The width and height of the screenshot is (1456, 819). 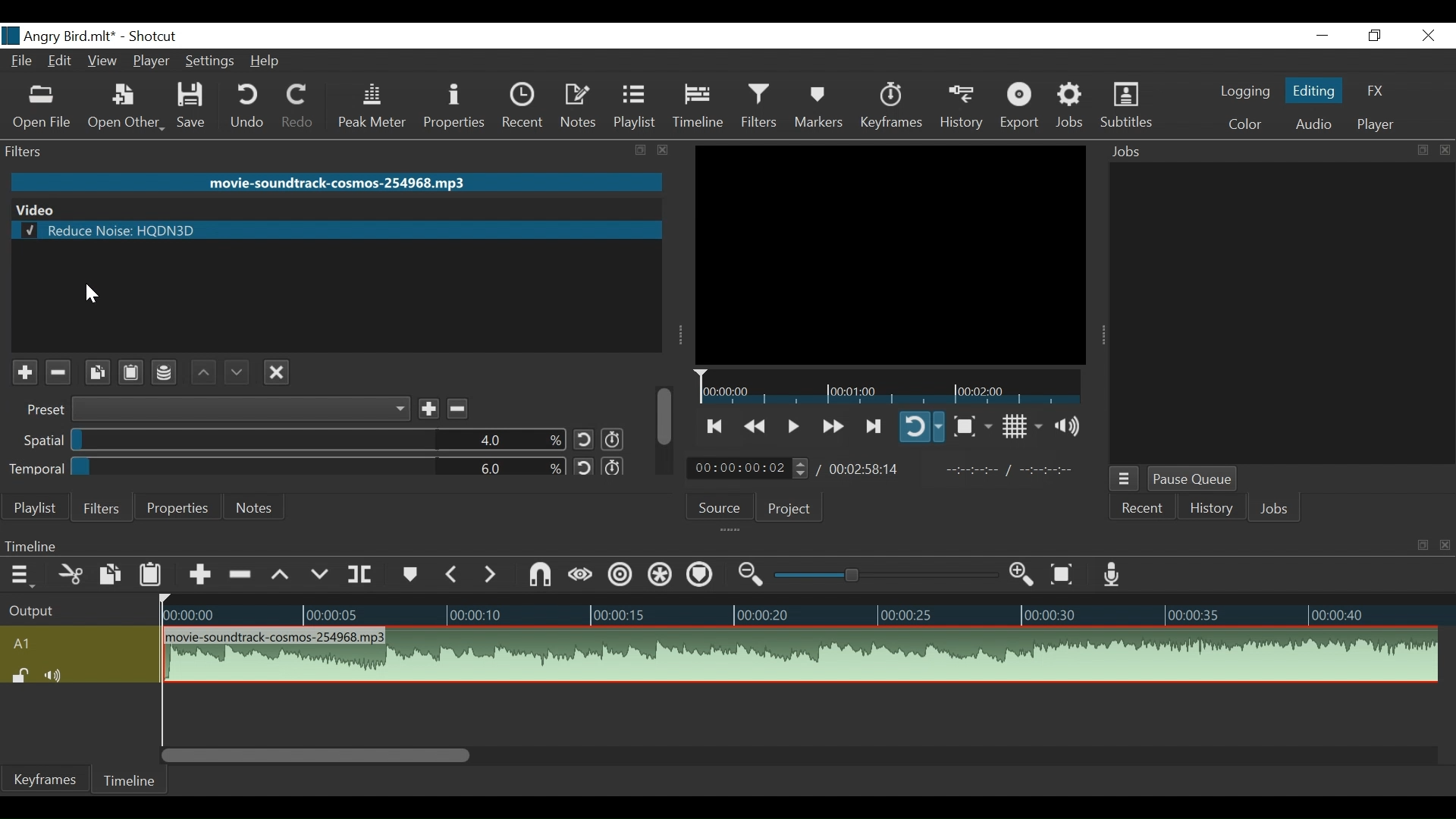 I want to click on Jobs menu, so click(x=1125, y=479).